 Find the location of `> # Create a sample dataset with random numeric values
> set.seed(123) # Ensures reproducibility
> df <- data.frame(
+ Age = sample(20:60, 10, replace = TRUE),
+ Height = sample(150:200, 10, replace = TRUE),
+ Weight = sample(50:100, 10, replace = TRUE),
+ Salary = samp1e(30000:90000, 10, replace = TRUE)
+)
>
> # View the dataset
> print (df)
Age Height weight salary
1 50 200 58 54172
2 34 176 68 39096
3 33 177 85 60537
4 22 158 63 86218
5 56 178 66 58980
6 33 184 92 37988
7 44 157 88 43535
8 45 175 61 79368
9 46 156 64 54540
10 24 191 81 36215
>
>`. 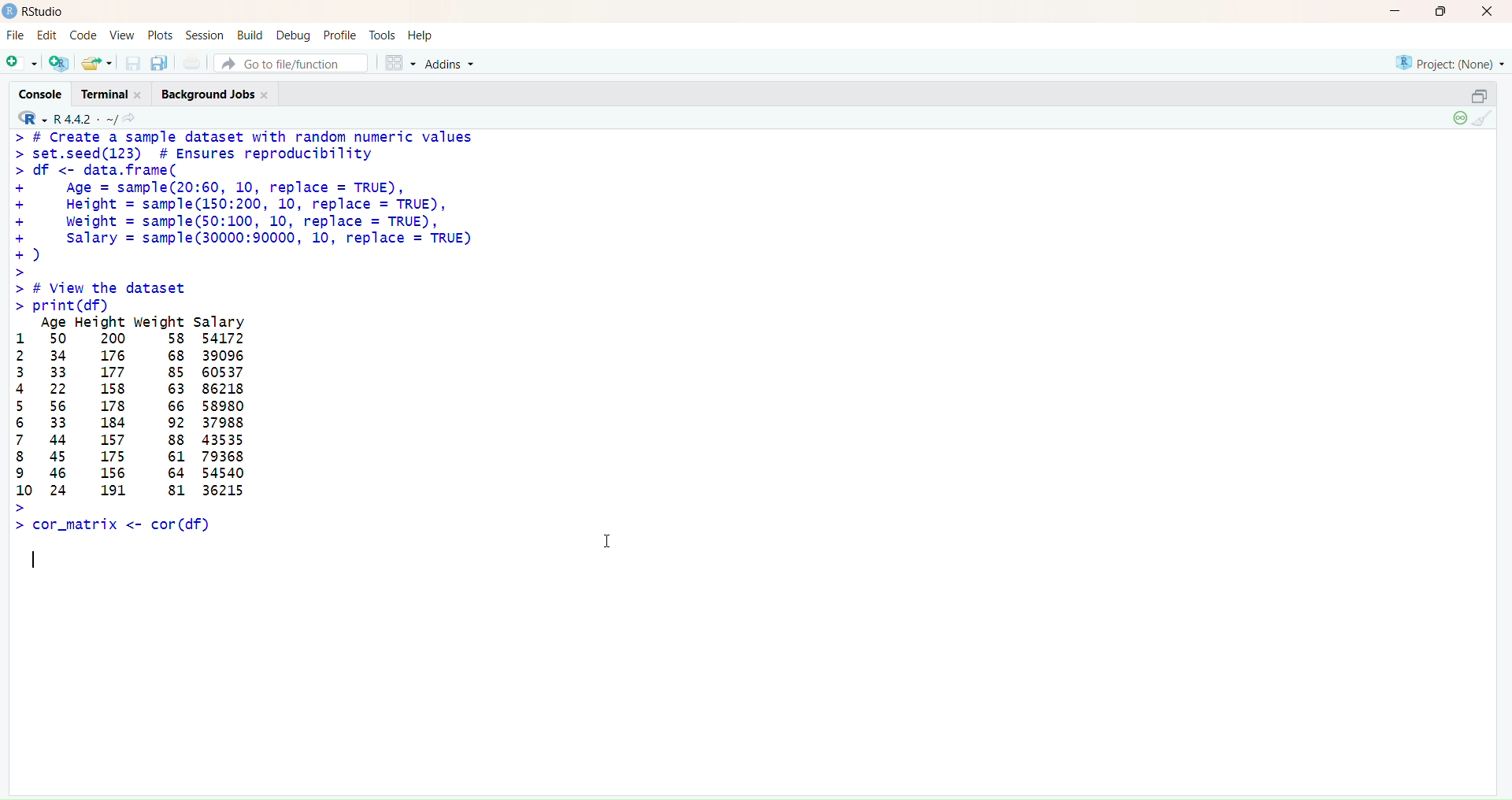

> # Create a sample dataset with random numeric values
> set.seed(123) # Ensures reproducibility
> df <- data.frame(
+ Age = sample(20:60, 10, replace = TRUE),
+ Height = sample(150:200, 10, replace = TRUE),
+ Weight = sample(50:100, 10, replace = TRUE),
+ Salary = samp1e(30000:90000, 10, replace = TRUE)
+)
>
> # View the dataset
> print (df)
Age Height weight salary
1 50 200 58 54172
2 34 176 68 39096
3 33 177 85 60537
4 22 158 63 86218
5 56 178 66 58980
6 33 184 92 37988
7 44 157 88 43535
8 45 175 61 79368
9 46 156 64 54540
10 24 191 81 36215
>
> is located at coordinates (264, 334).